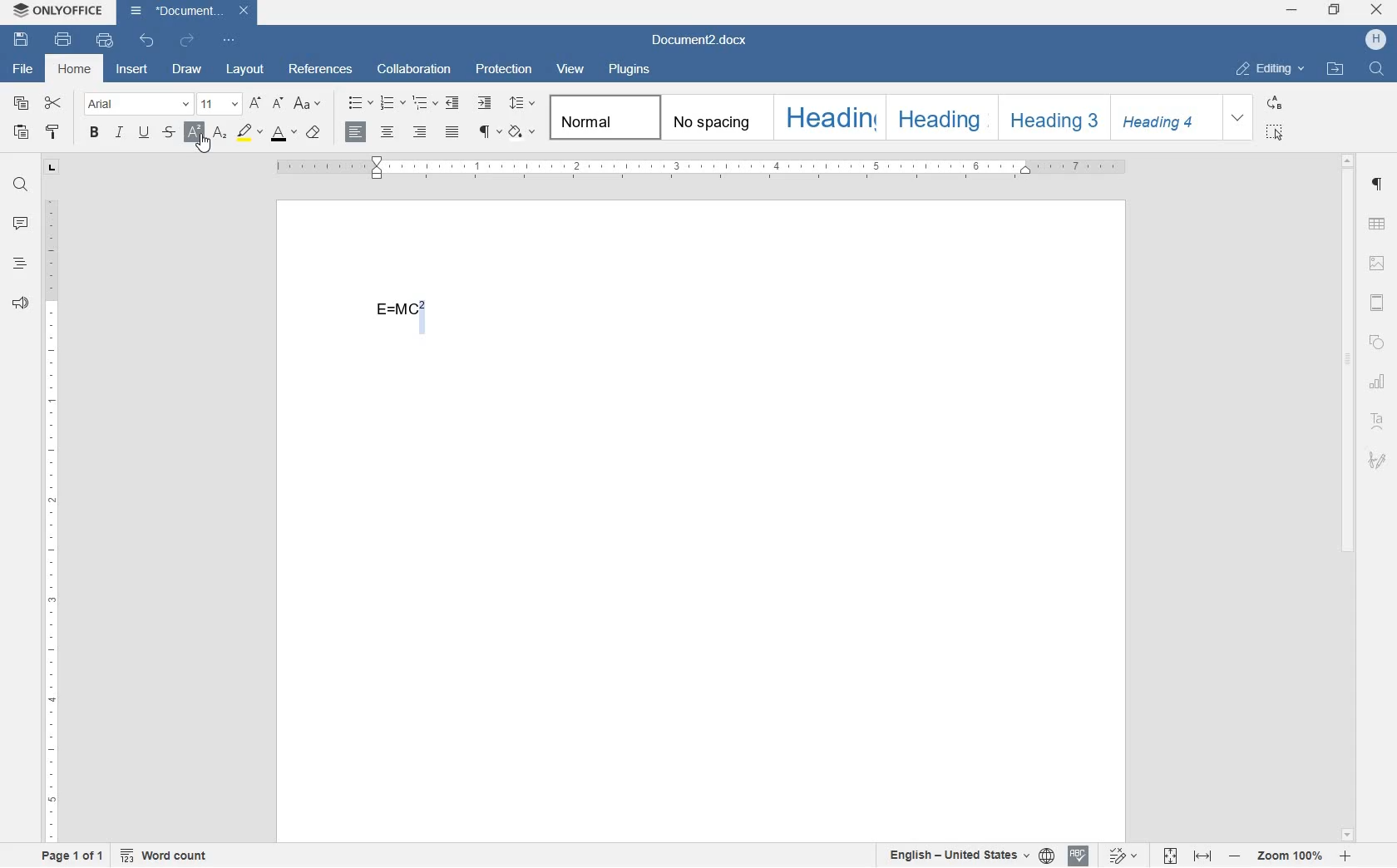 This screenshot has width=1397, height=868. What do you see at coordinates (20, 303) in the screenshot?
I see `feedback & support` at bounding box center [20, 303].